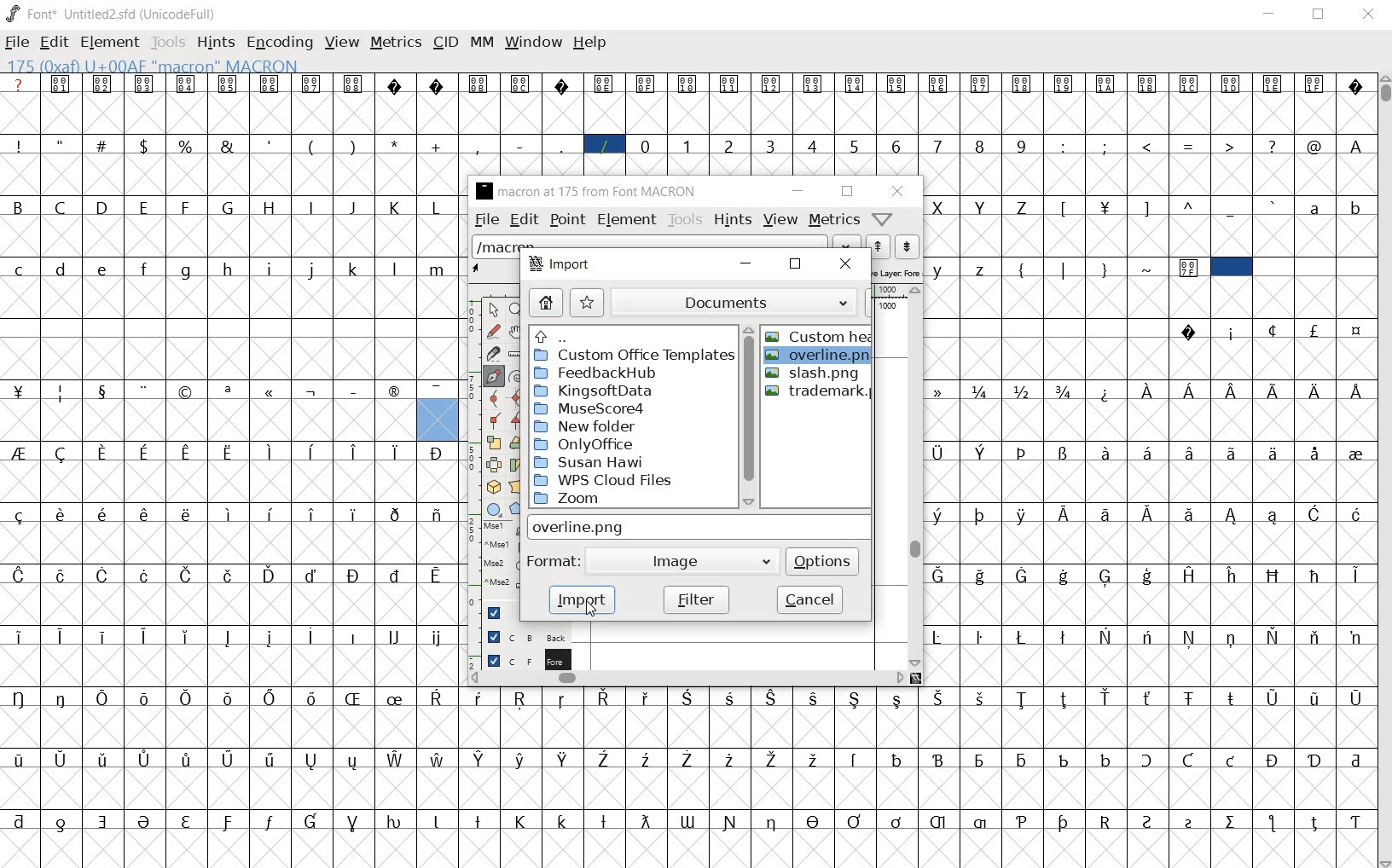 The width and height of the screenshot is (1392, 868). What do you see at coordinates (1314, 83) in the screenshot?
I see `Symbol` at bounding box center [1314, 83].